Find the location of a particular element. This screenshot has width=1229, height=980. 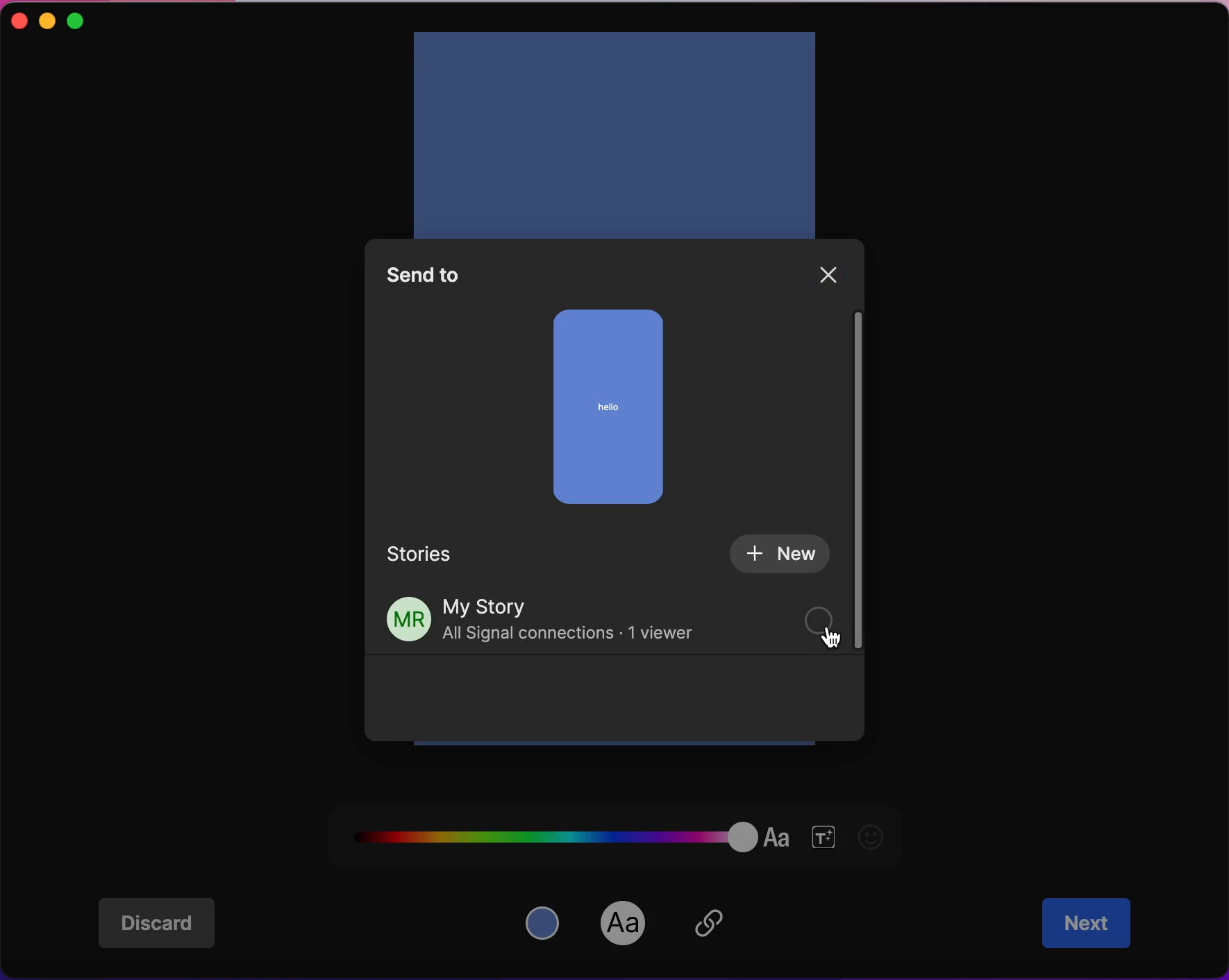

color is located at coordinates (546, 921).